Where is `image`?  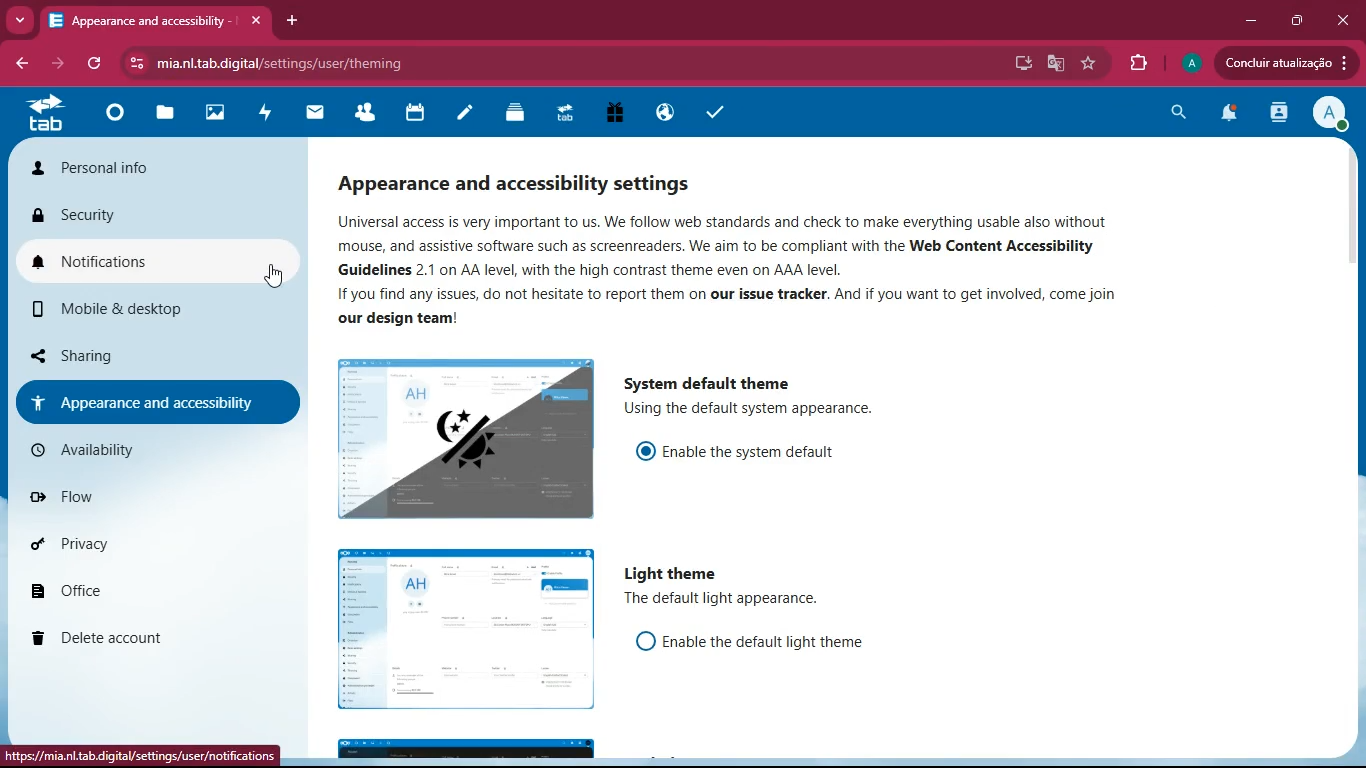 image is located at coordinates (468, 628).